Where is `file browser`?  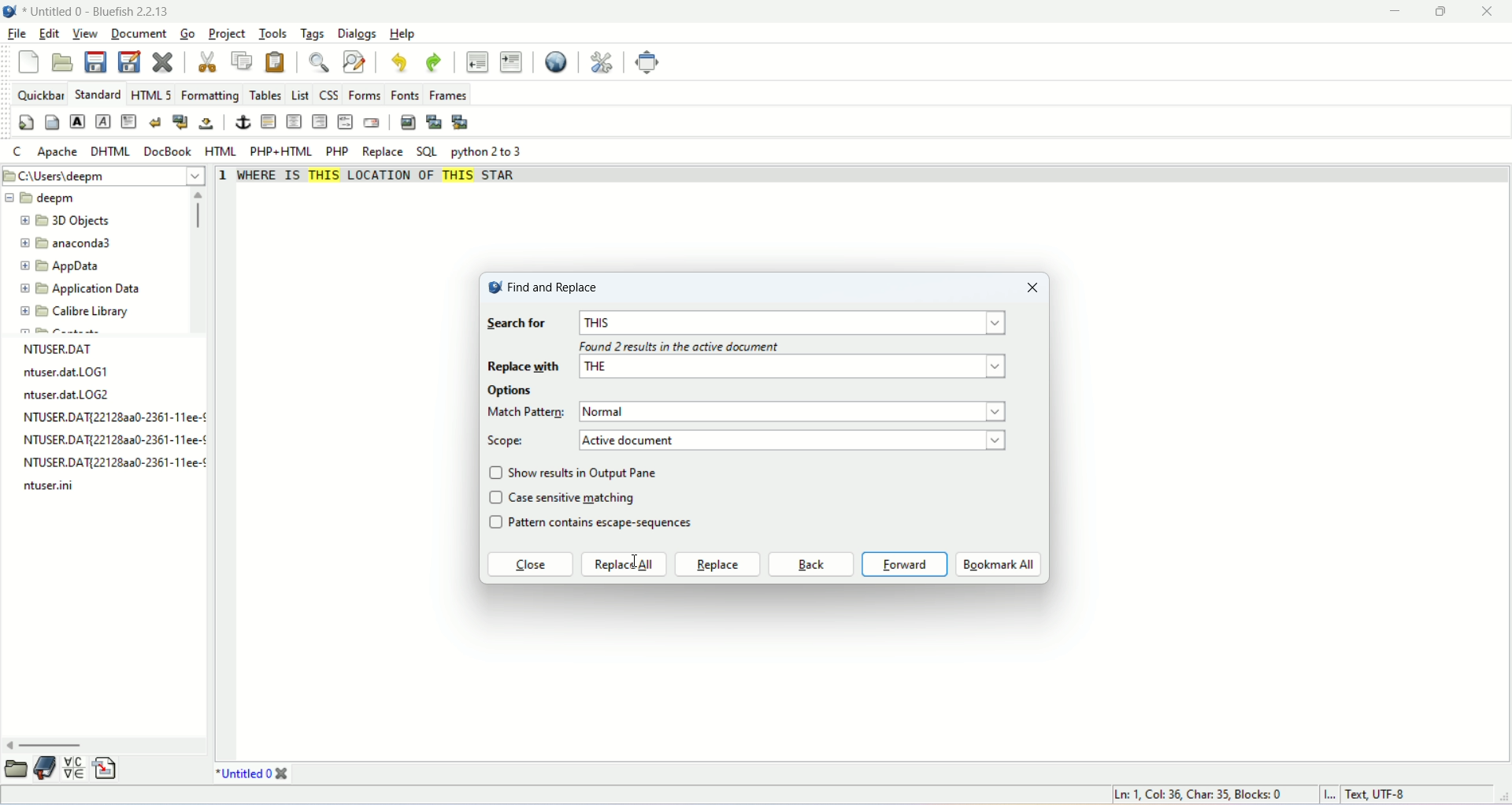
file browser is located at coordinates (17, 768).